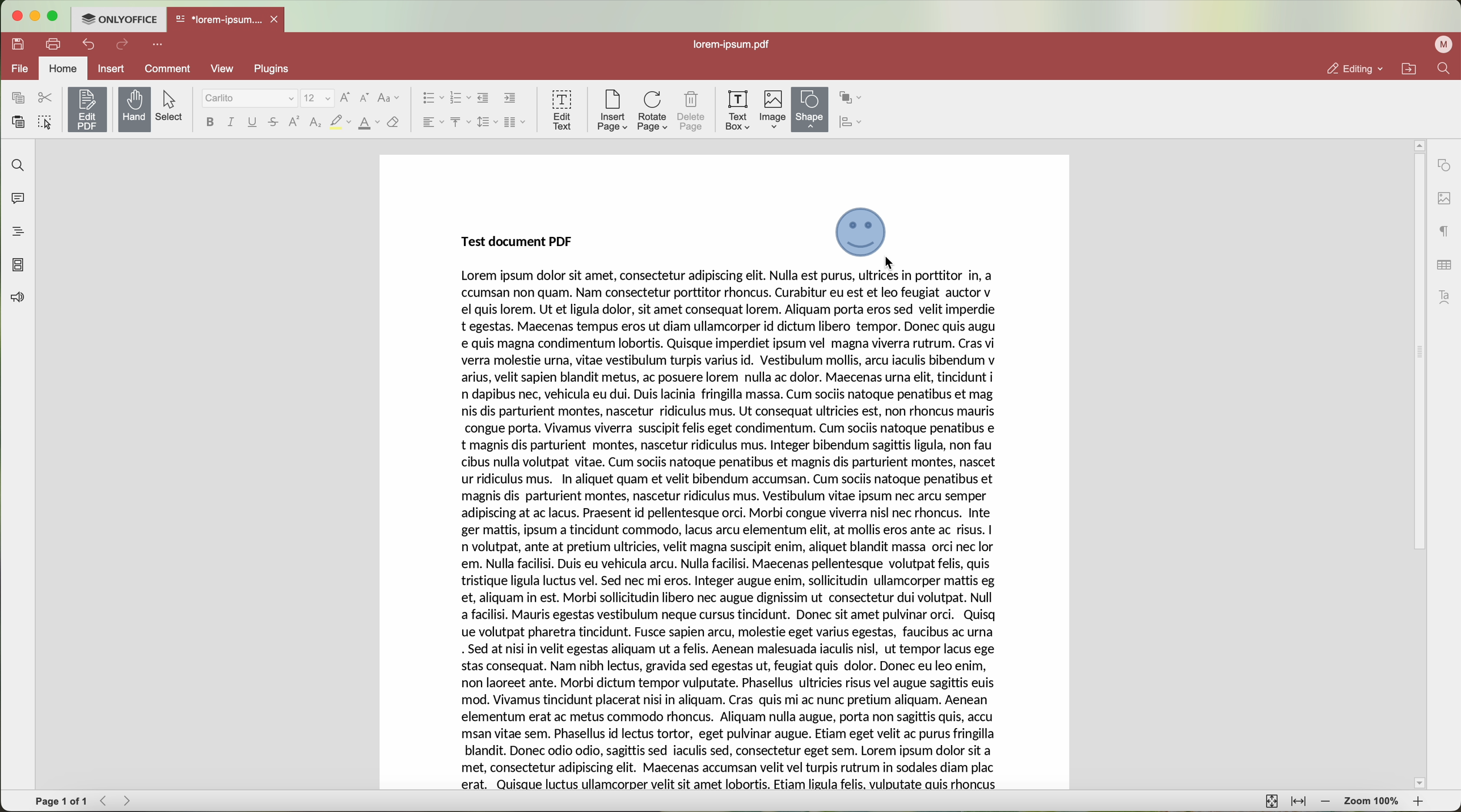  I want to click on fit to width, so click(1300, 802).